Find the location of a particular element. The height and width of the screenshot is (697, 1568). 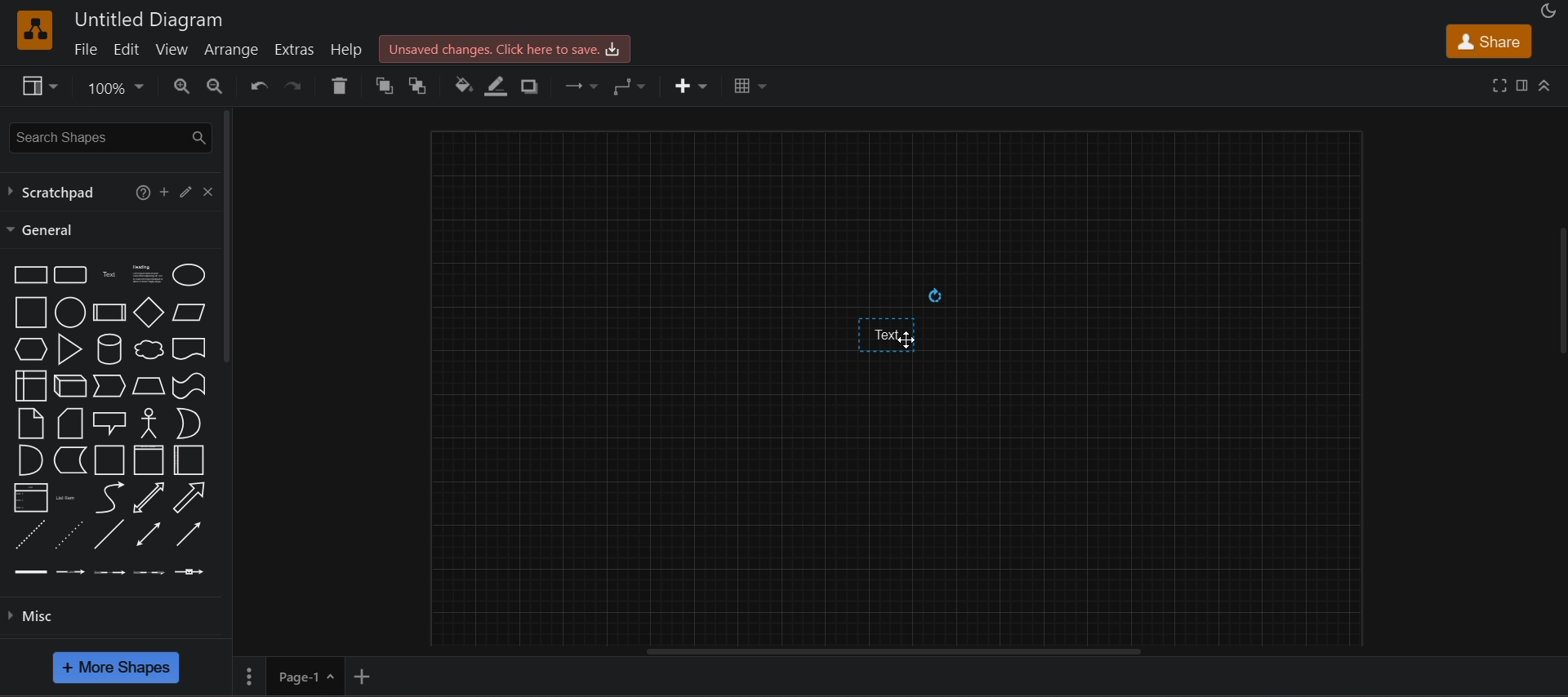

scratchpad is located at coordinates (54, 192).